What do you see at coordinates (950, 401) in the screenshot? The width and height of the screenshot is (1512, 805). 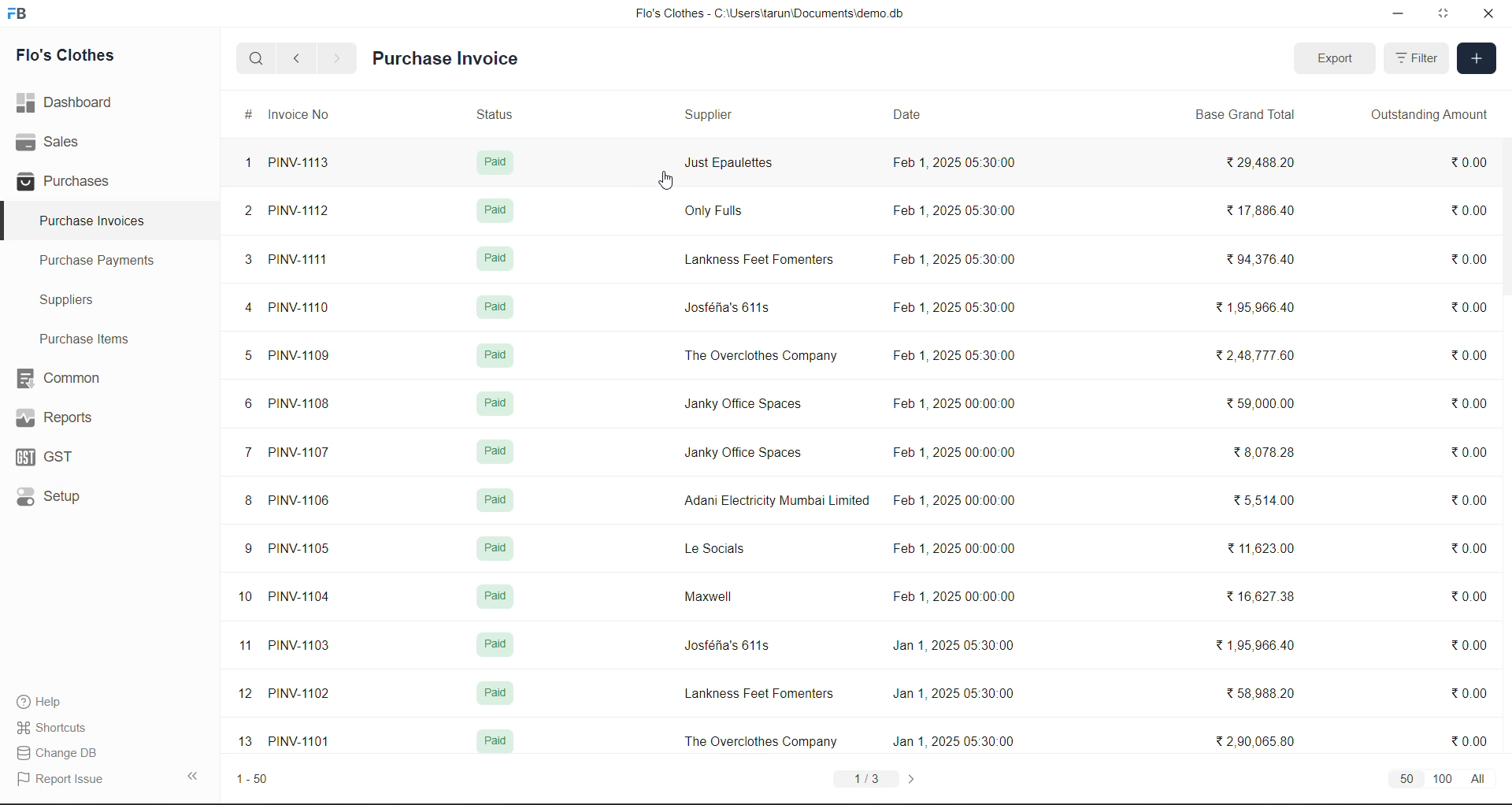 I see `Feb 1, 2025 00:00:00` at bounding box center [950, 401].